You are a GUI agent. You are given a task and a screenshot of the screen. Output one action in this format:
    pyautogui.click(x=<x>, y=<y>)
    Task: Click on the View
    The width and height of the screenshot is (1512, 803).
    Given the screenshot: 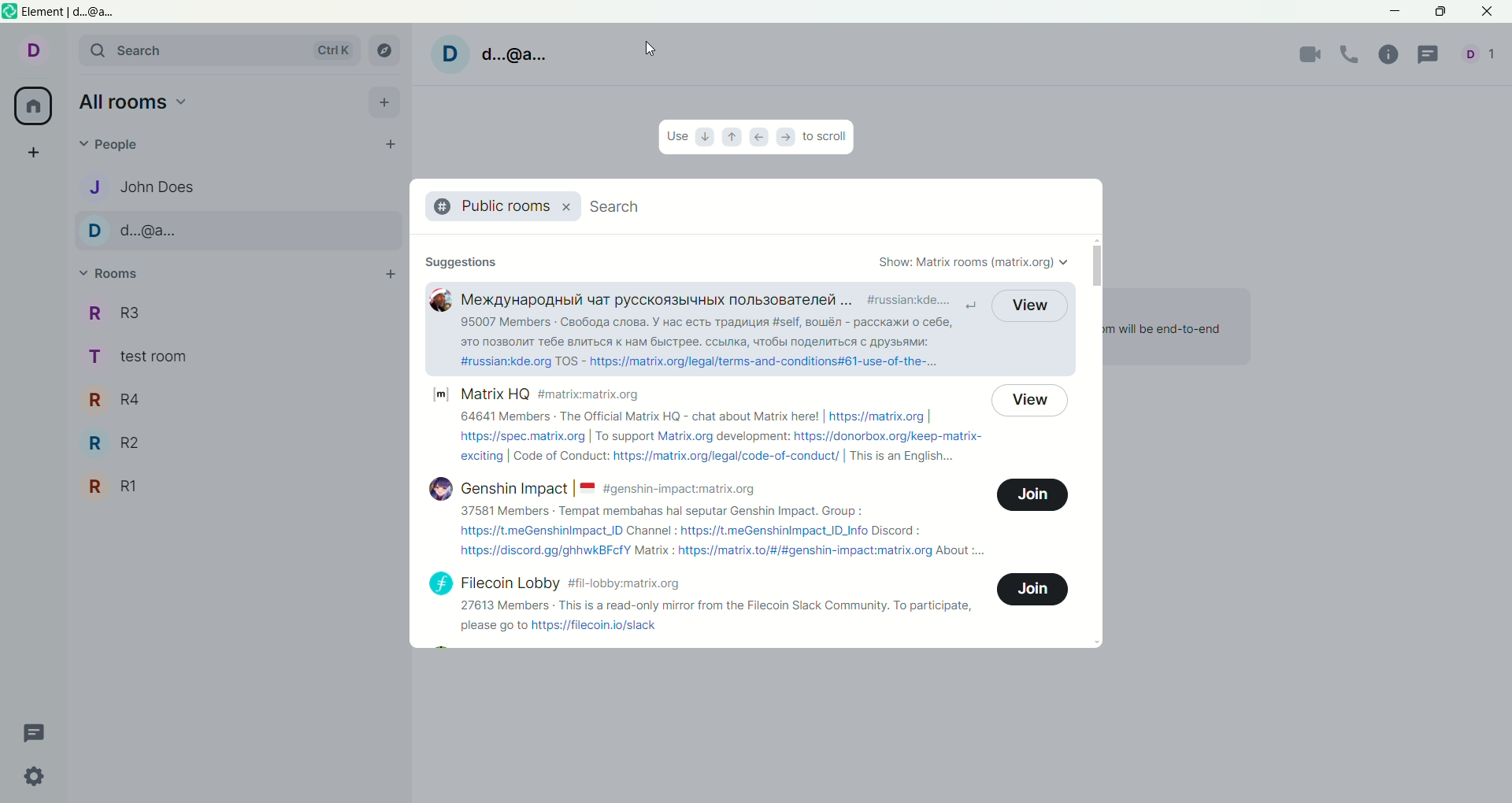 What is the action you would take?
    pyautogui.click(x=1029, y=401)
    